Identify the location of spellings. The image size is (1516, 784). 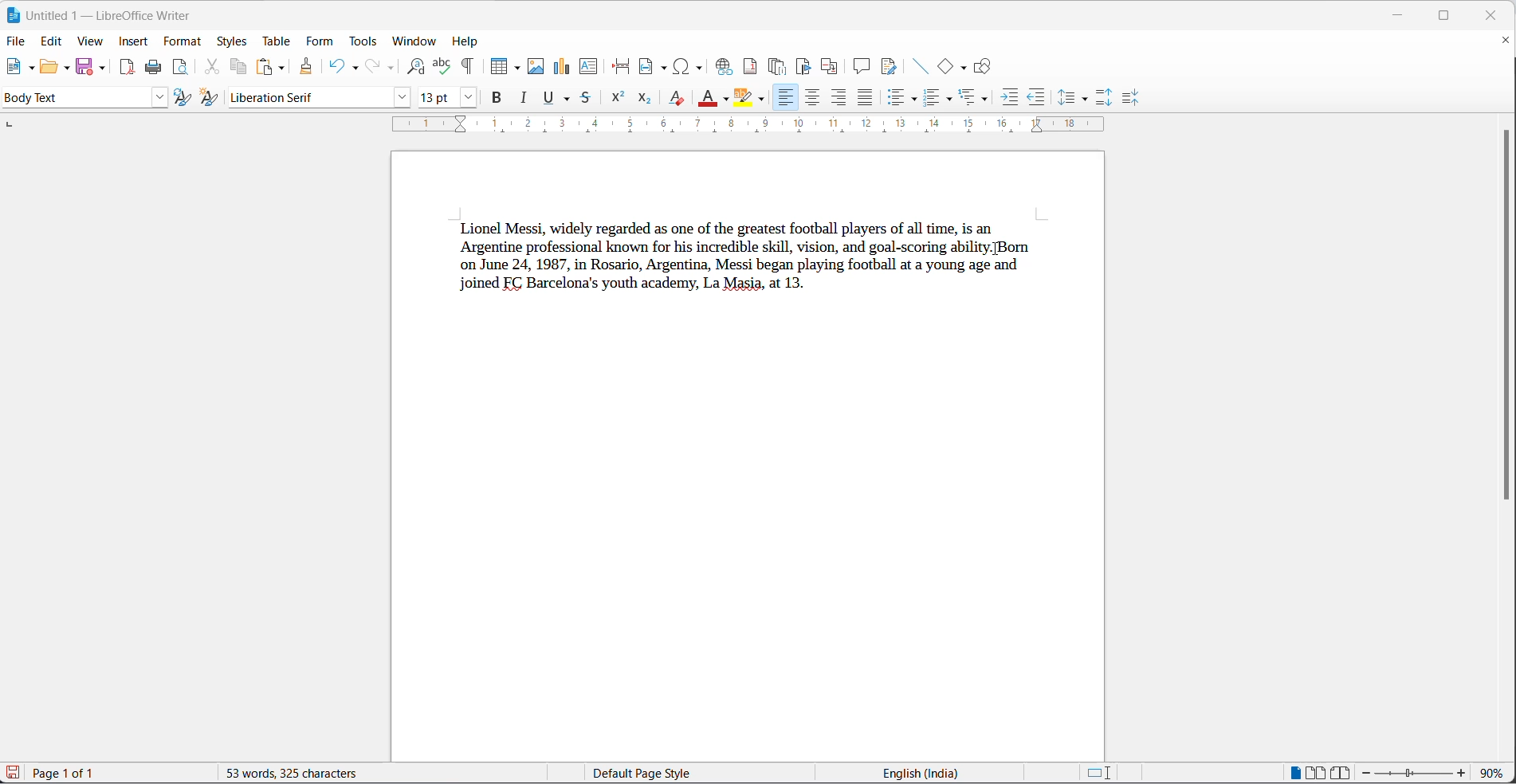
(443, 67).